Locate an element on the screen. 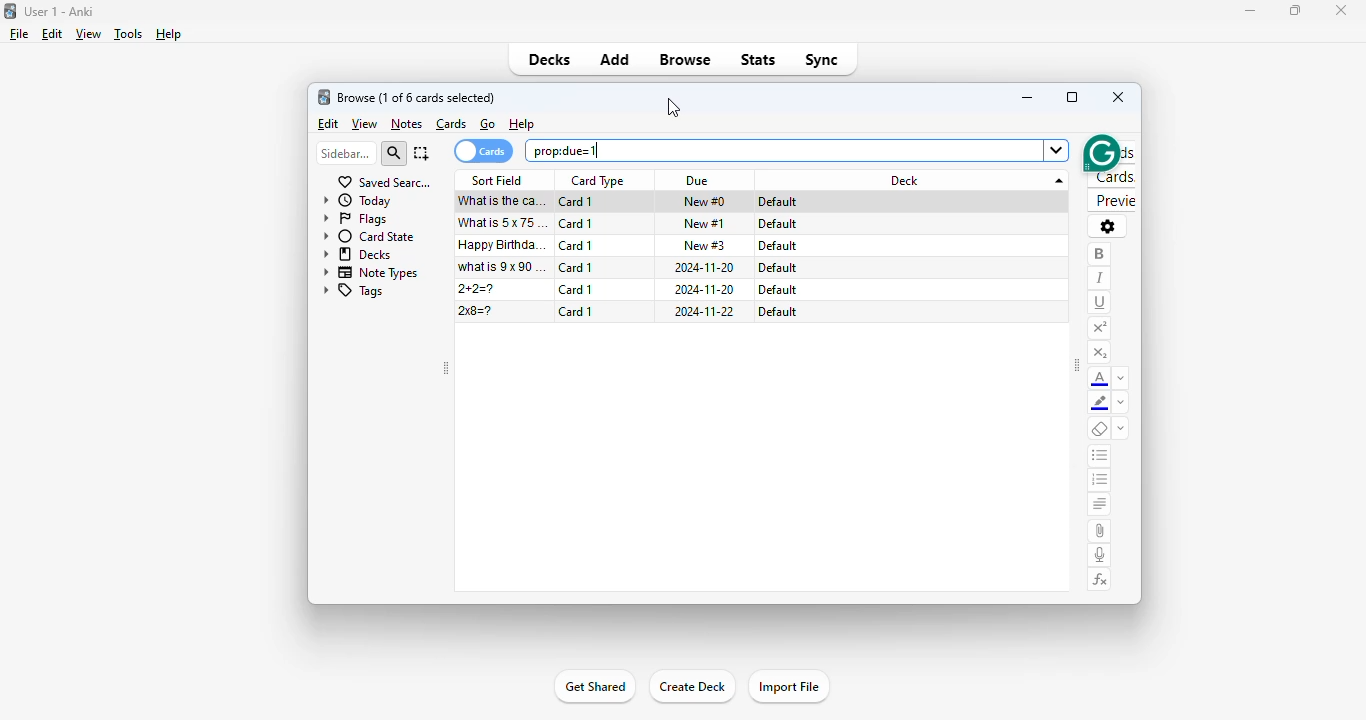 This screenshot has width=1366, height=720. card 1 is located at coordinates (577, 223).